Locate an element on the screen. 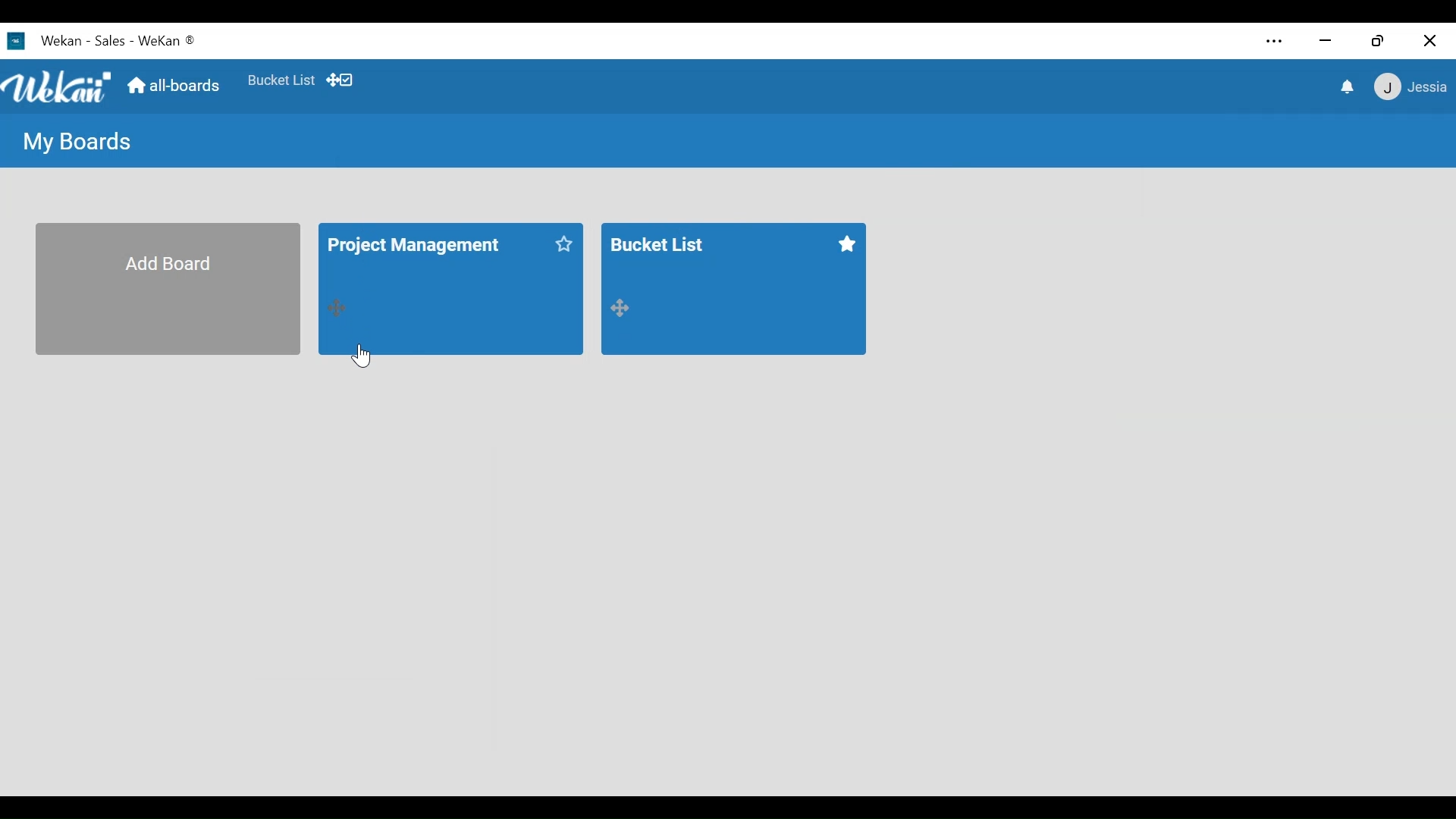  Close is located at coordinates (1431, 39).